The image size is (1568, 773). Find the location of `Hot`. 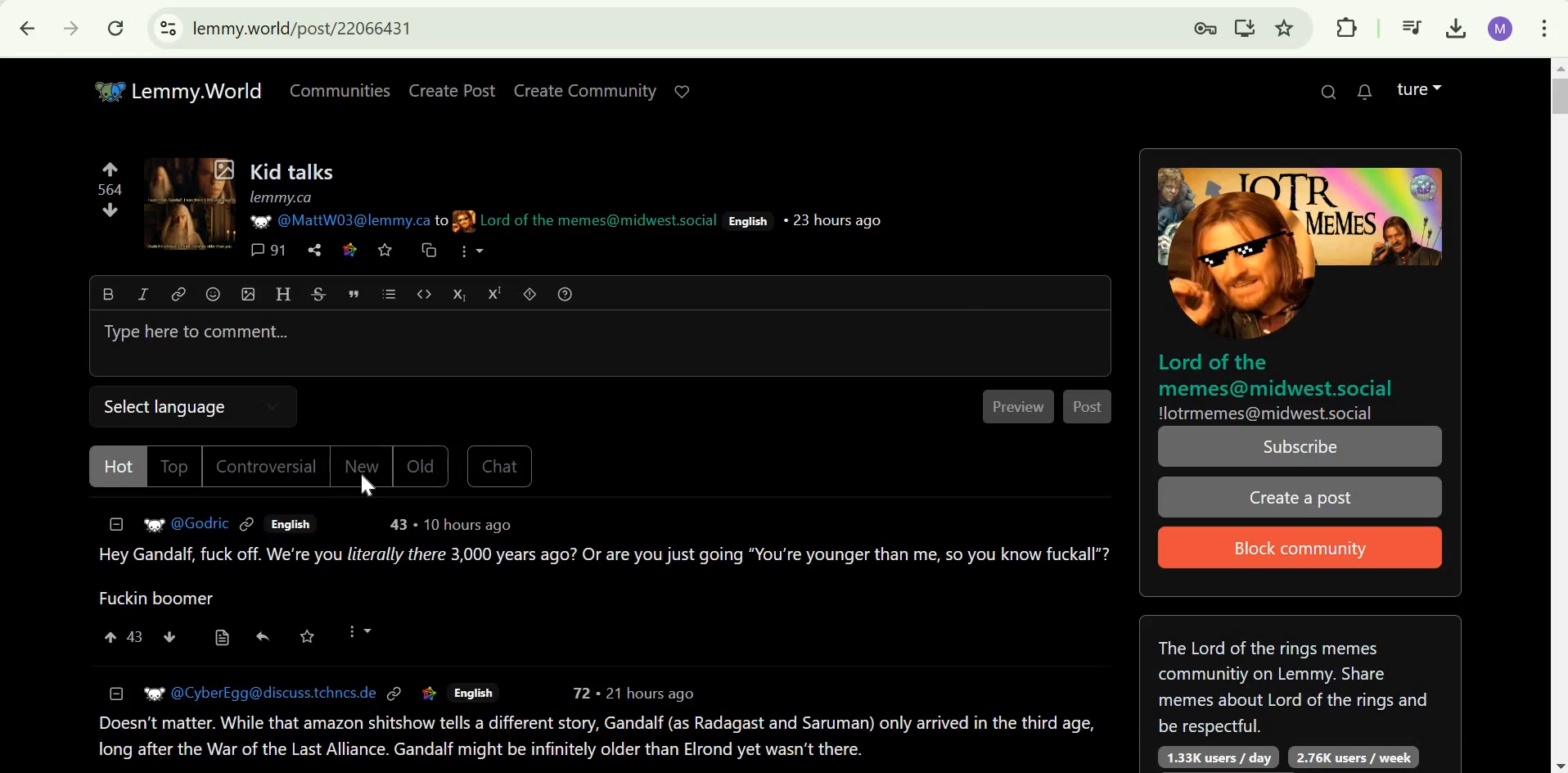

Hot is located at coordinates (117, 466).